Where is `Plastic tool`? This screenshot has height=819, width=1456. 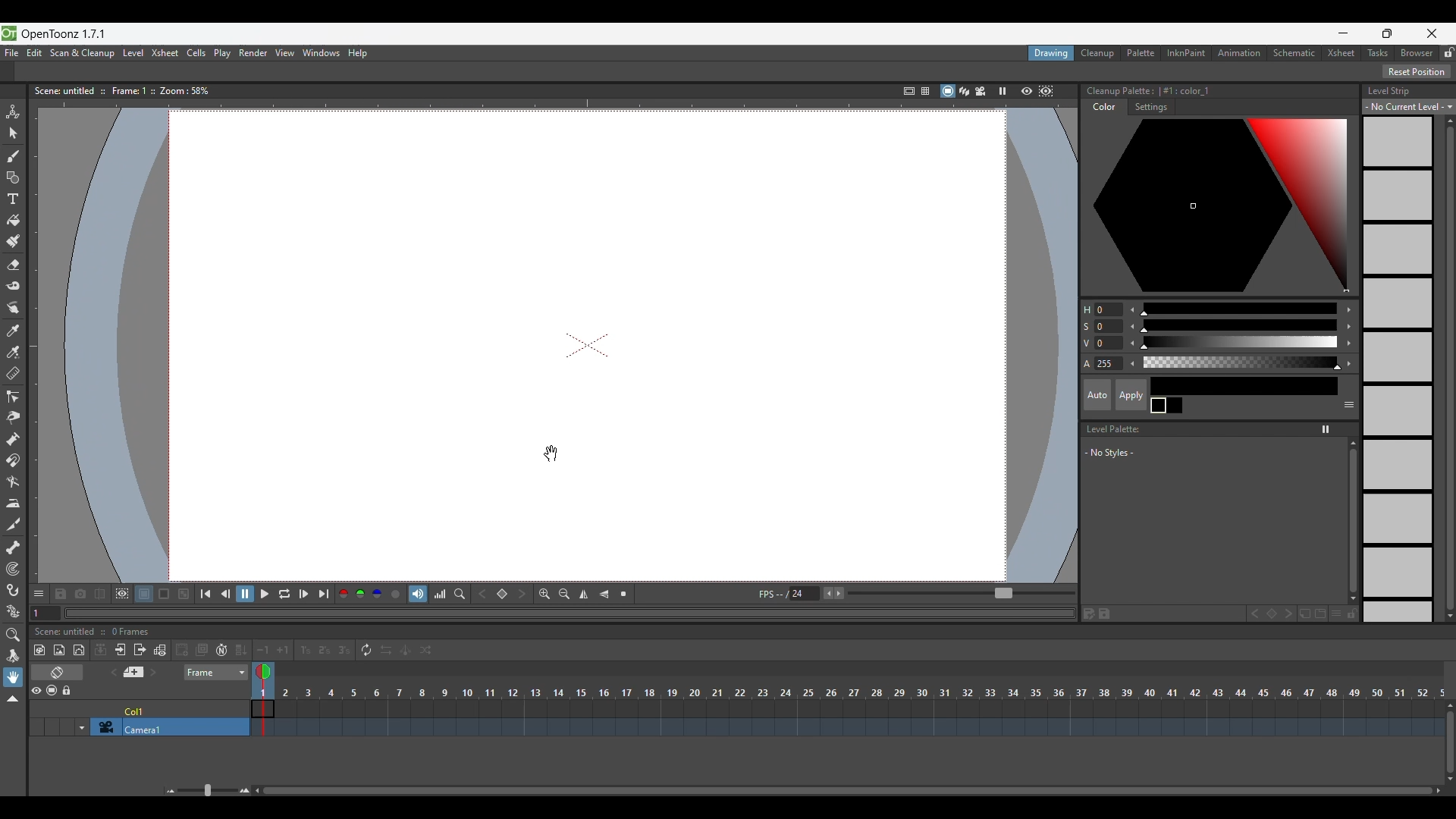
Plastic tool is located at coordinates (13, 611).